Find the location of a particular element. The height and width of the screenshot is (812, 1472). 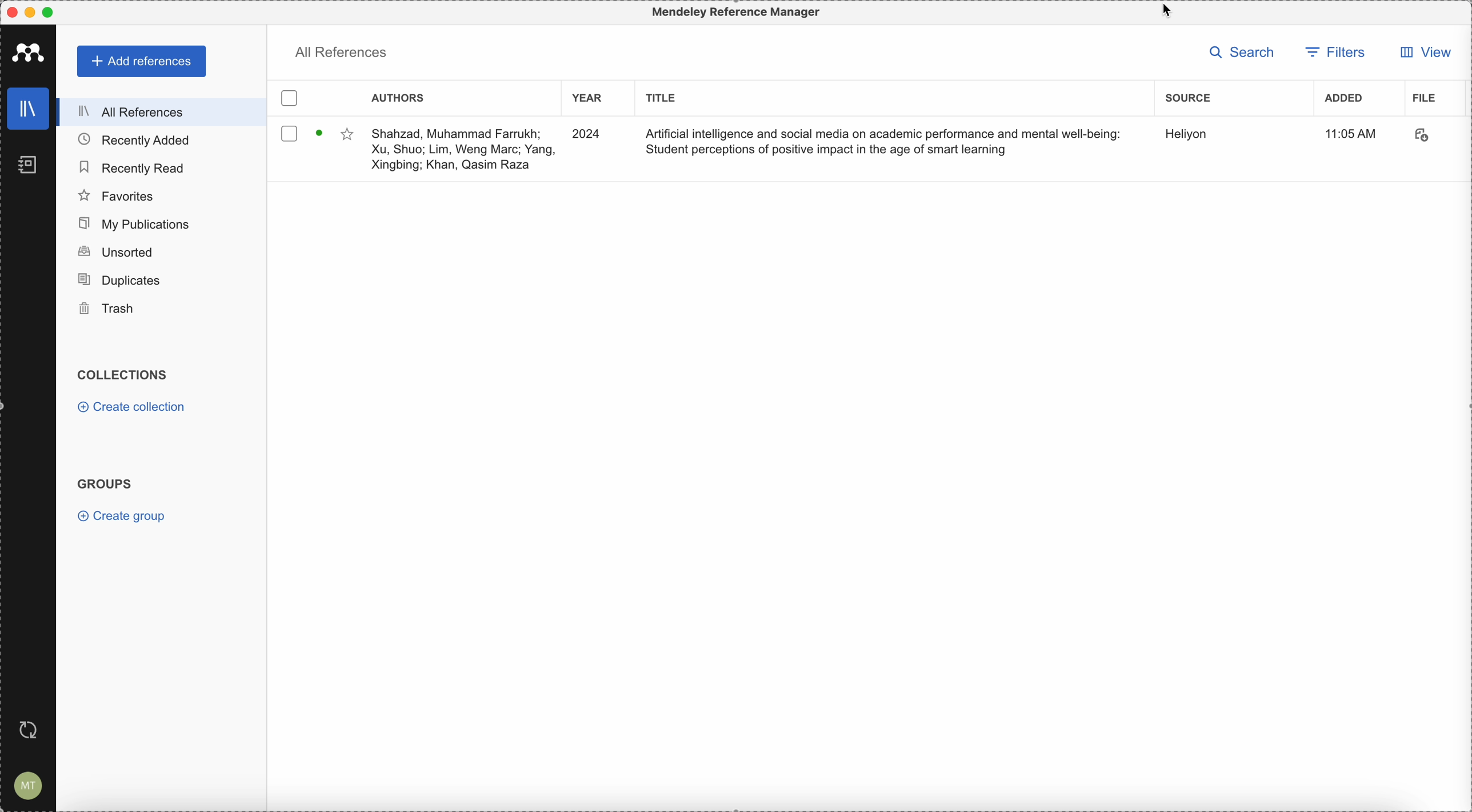

unsorted is located at coordinates (115, 250).